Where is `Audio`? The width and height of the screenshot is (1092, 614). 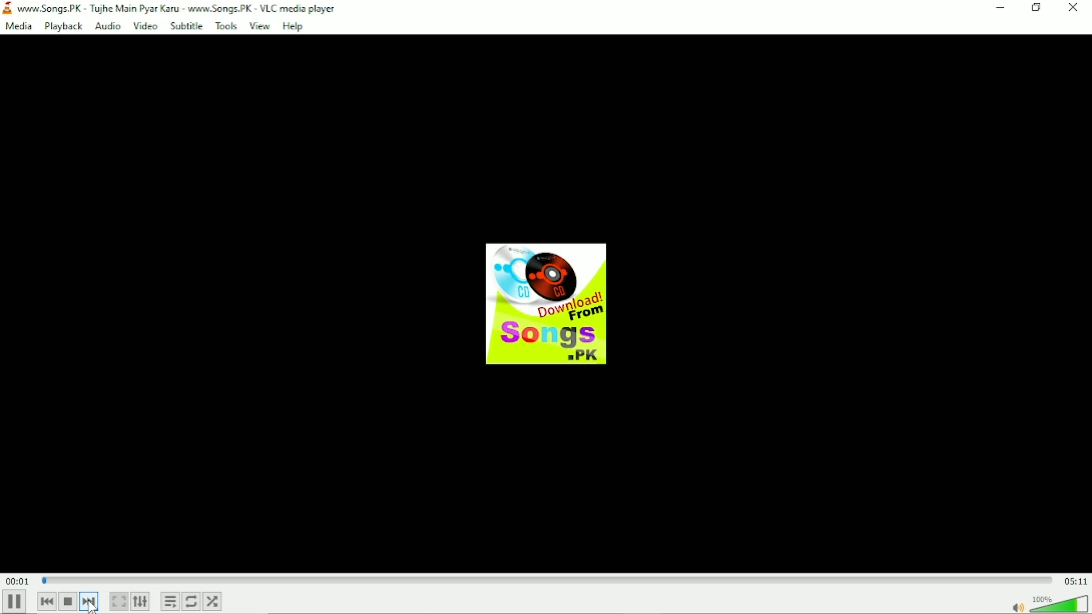
Audio is located at coordinates (106, 26).